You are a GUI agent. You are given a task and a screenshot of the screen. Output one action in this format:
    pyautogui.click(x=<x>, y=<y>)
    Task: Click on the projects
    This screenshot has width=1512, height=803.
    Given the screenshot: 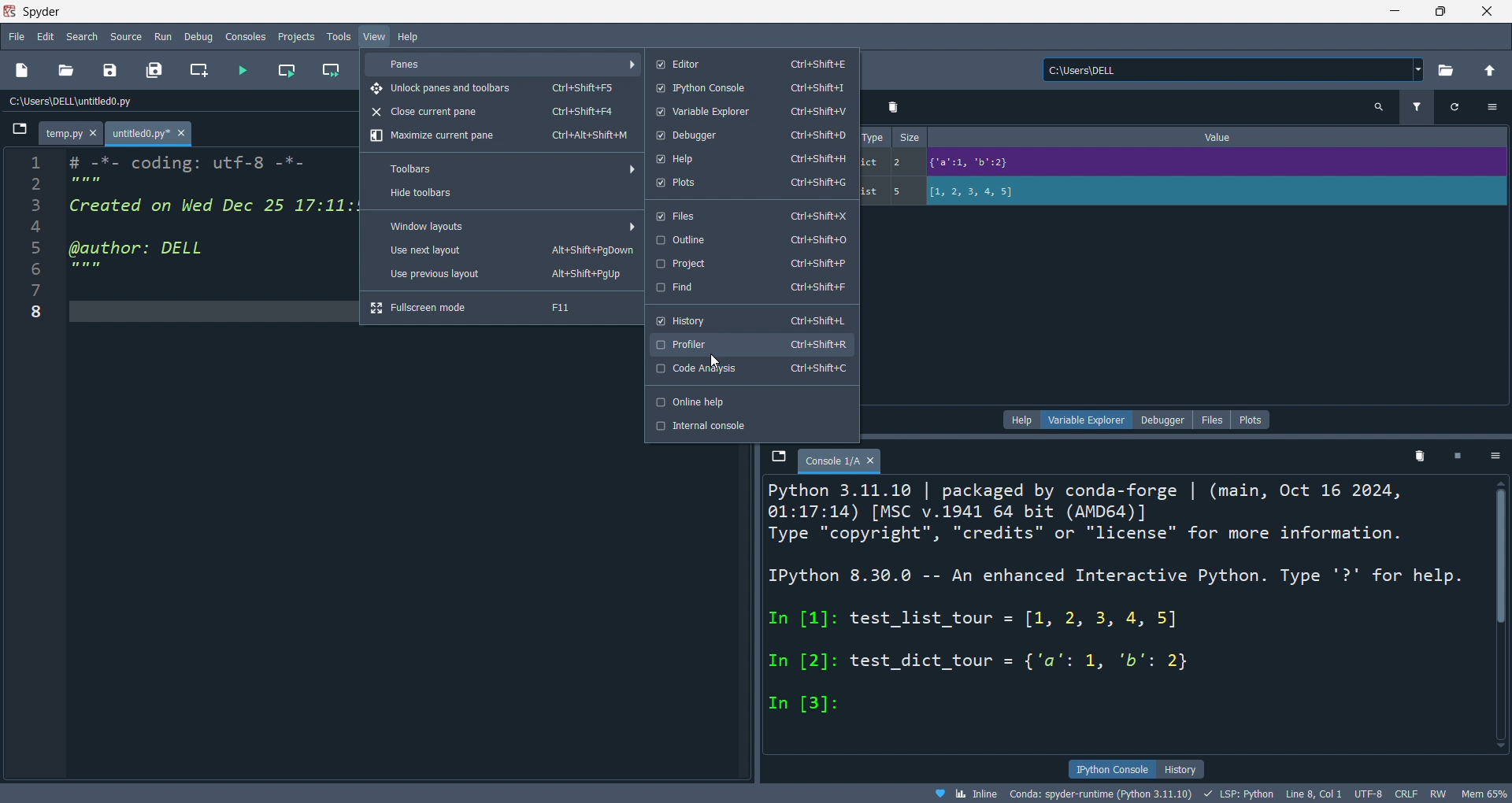 What is the action you would take?
    pyautogui.click(x=301, y=37)
    